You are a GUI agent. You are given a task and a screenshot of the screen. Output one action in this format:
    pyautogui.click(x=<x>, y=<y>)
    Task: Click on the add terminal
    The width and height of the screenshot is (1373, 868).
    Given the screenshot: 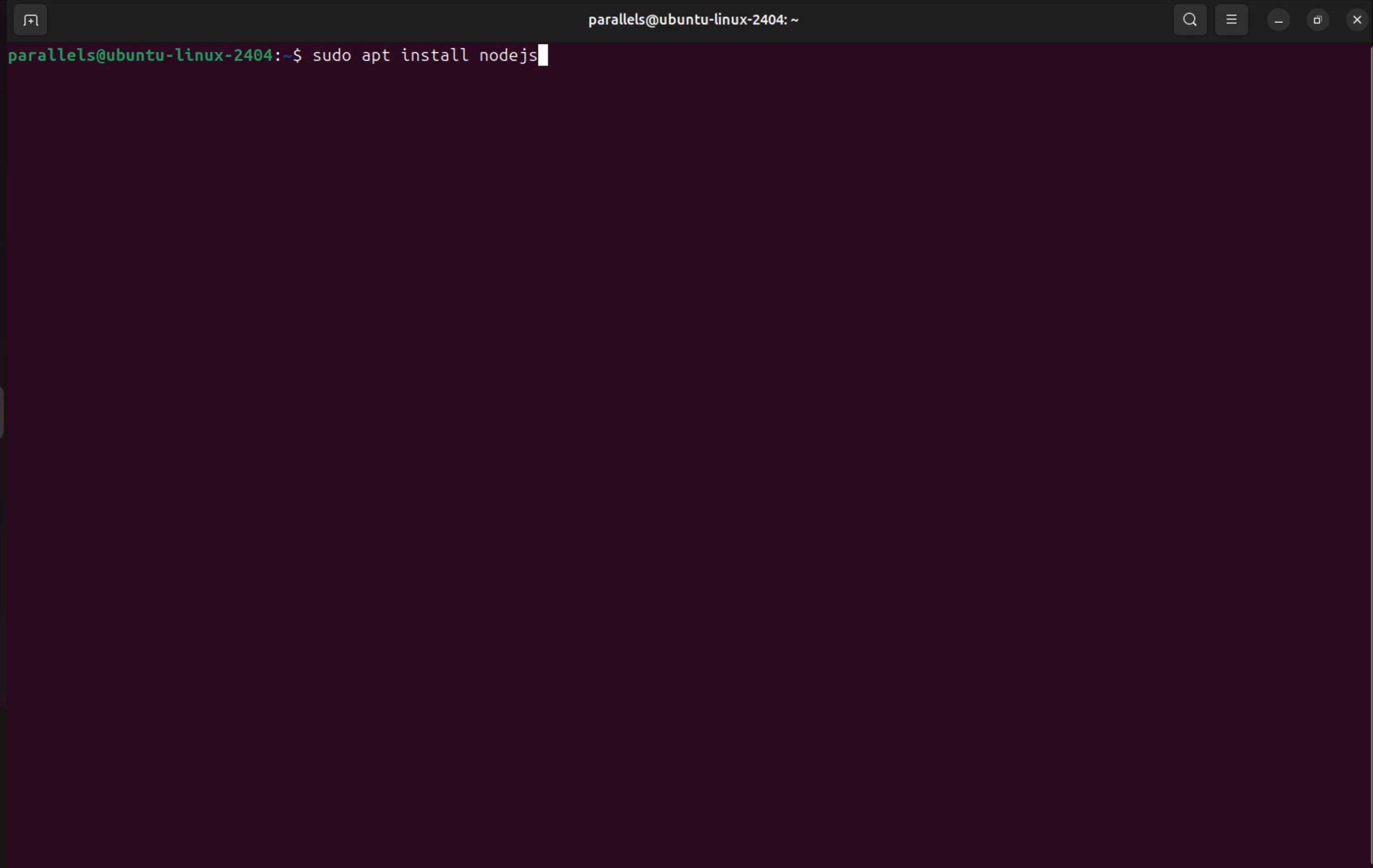 What is the action you would take?
    pyautogui.click(x=29, y=21)
    